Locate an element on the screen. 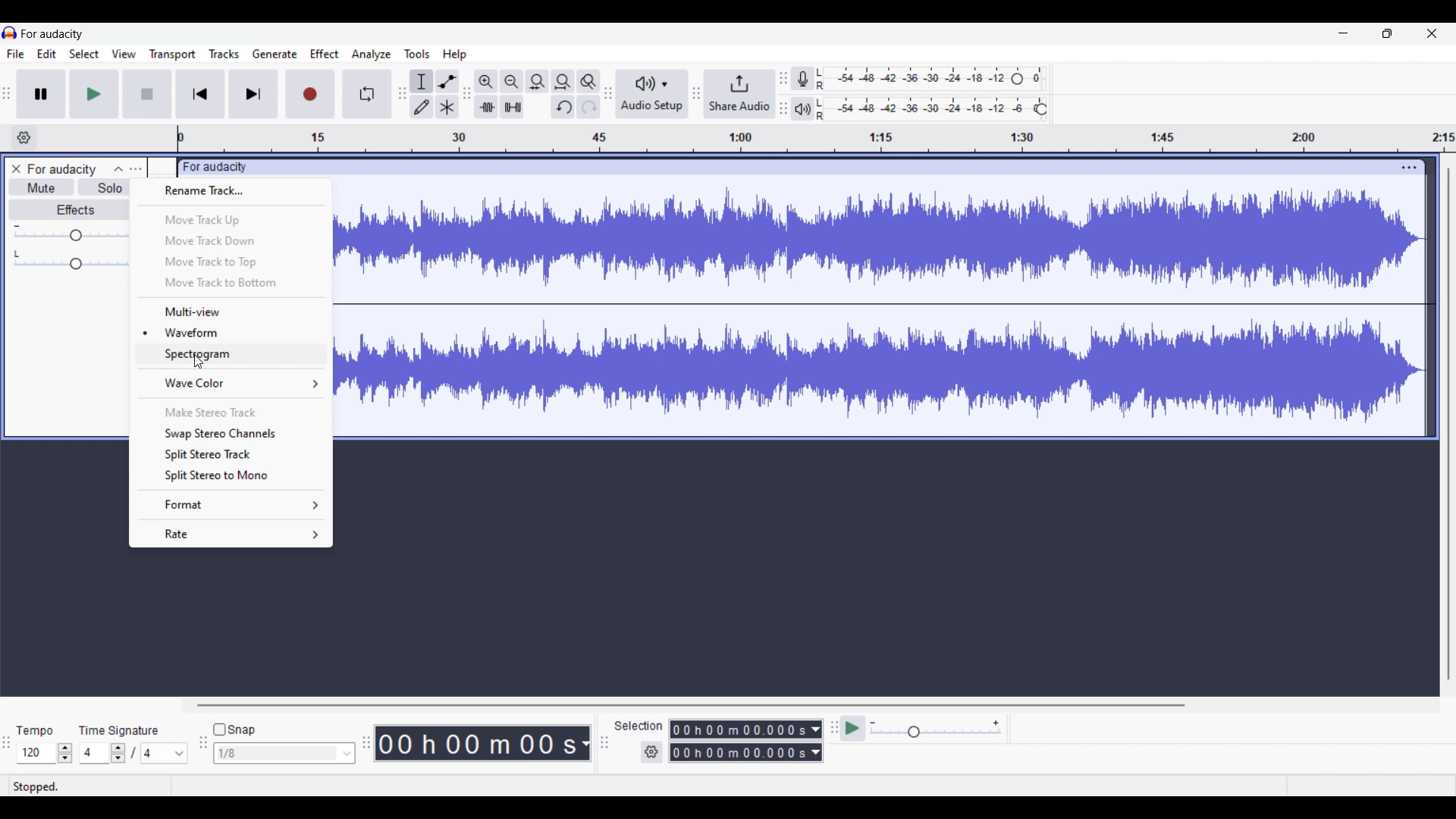 Image resolution: width=1456 pixels, height=819 pixels. Zoom in is located at coordinates (487, 82).